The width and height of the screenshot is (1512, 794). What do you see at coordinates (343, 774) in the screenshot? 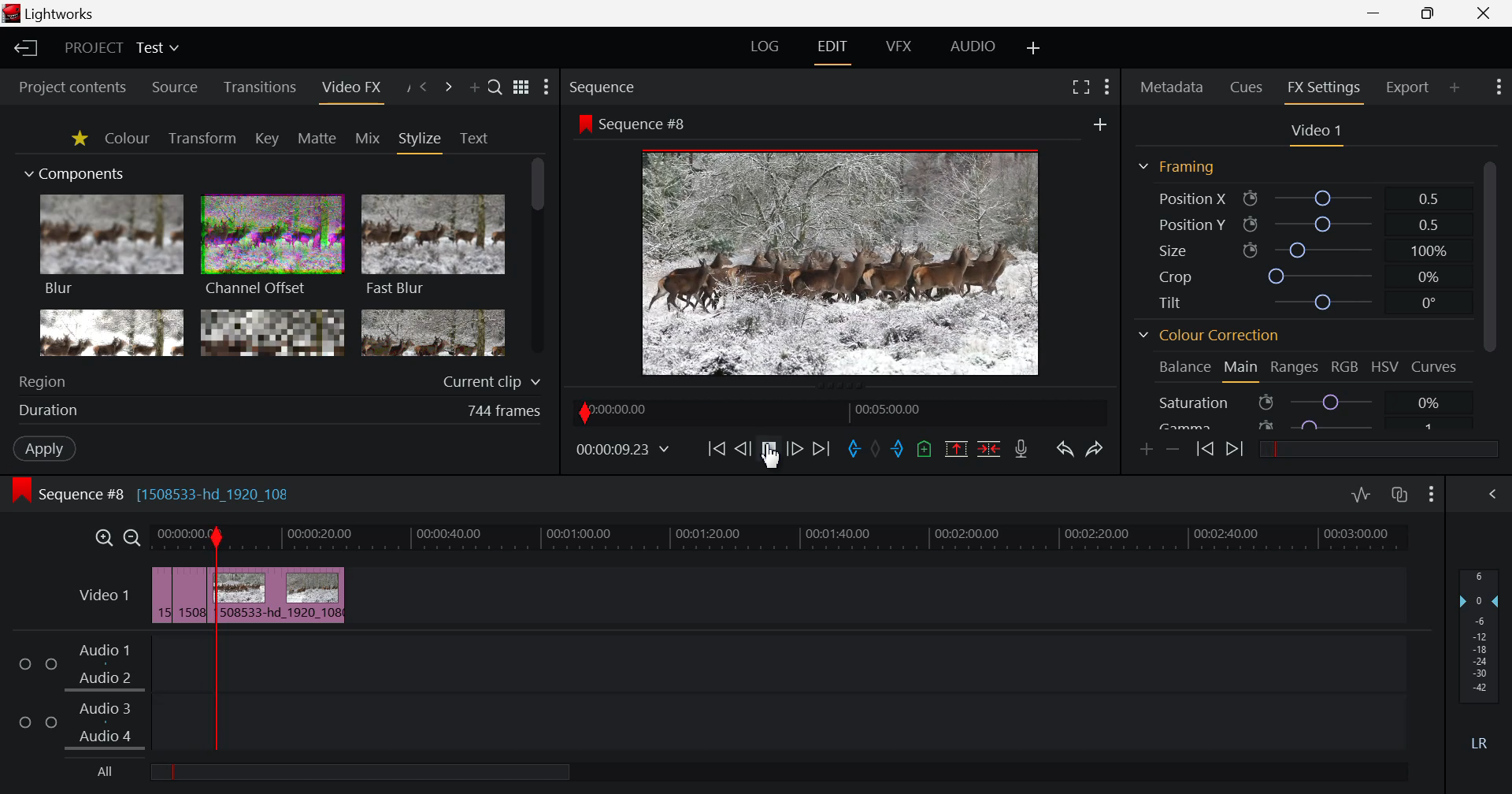
I see `All` at bounding box center [343, 774].